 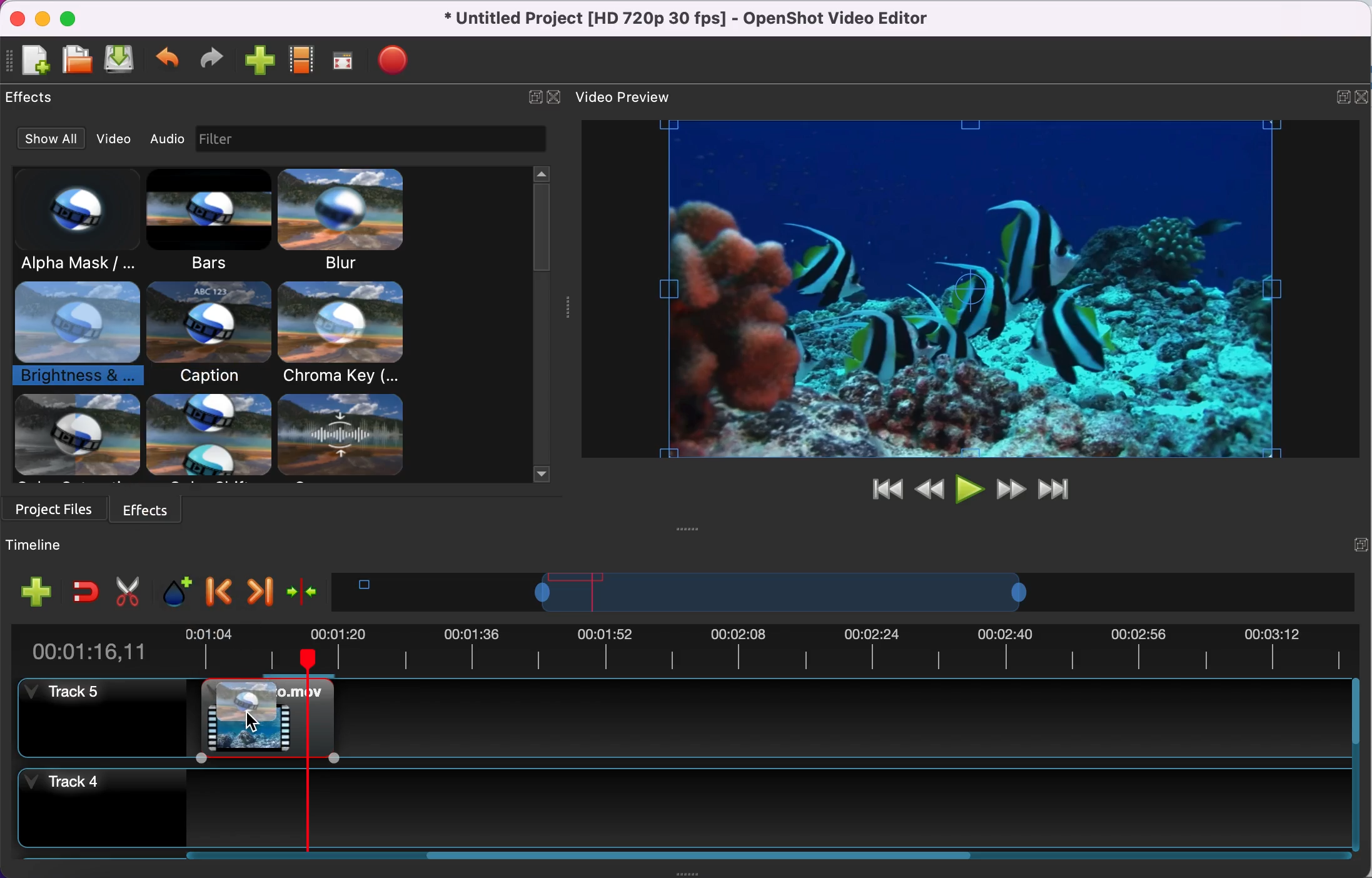 What do you see at coordinates (358, 221) in the screenshot?
I see `blur` at bounding box center [358, 221].